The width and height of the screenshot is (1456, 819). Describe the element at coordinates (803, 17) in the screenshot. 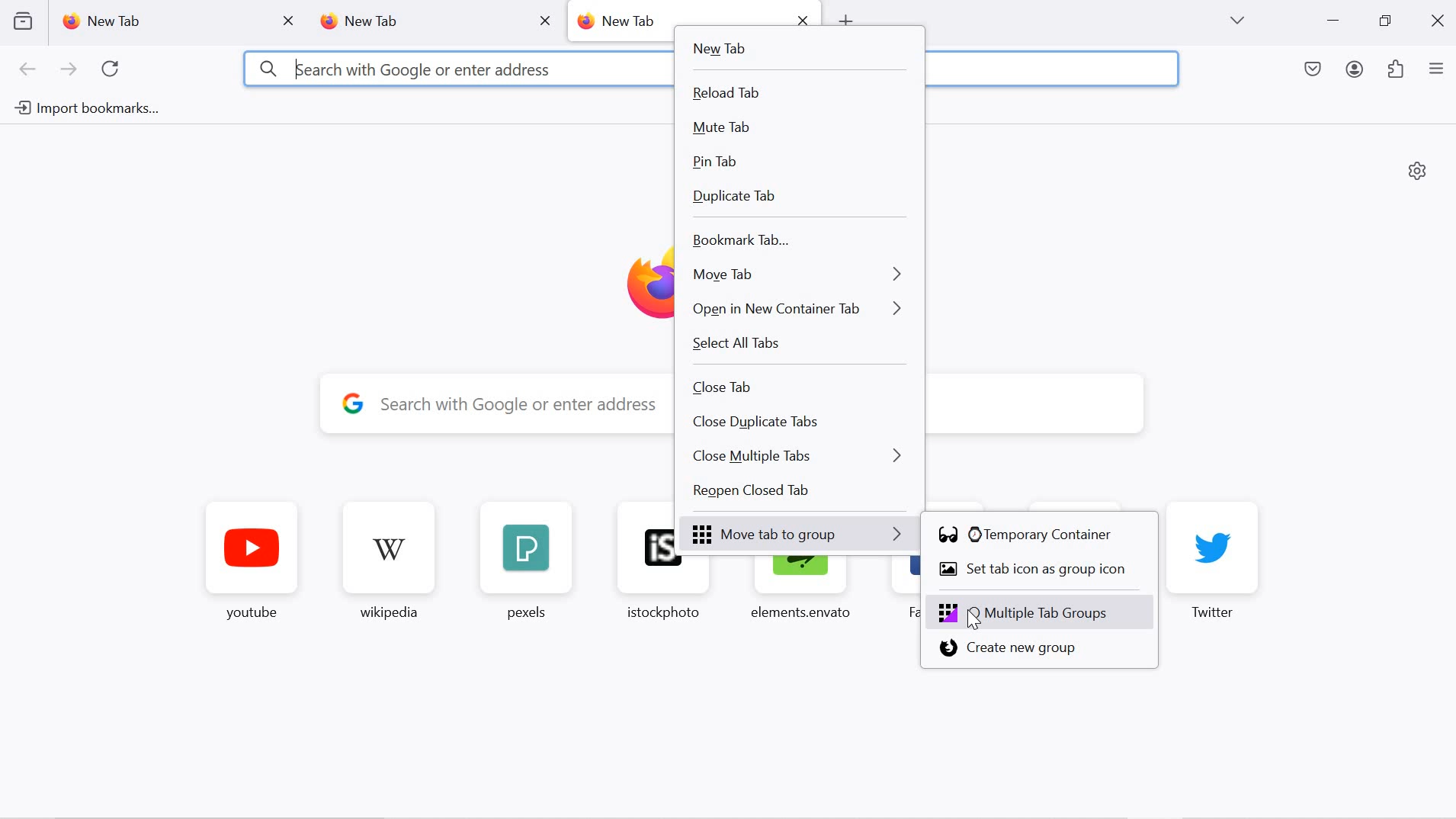

I see `close` at that location.